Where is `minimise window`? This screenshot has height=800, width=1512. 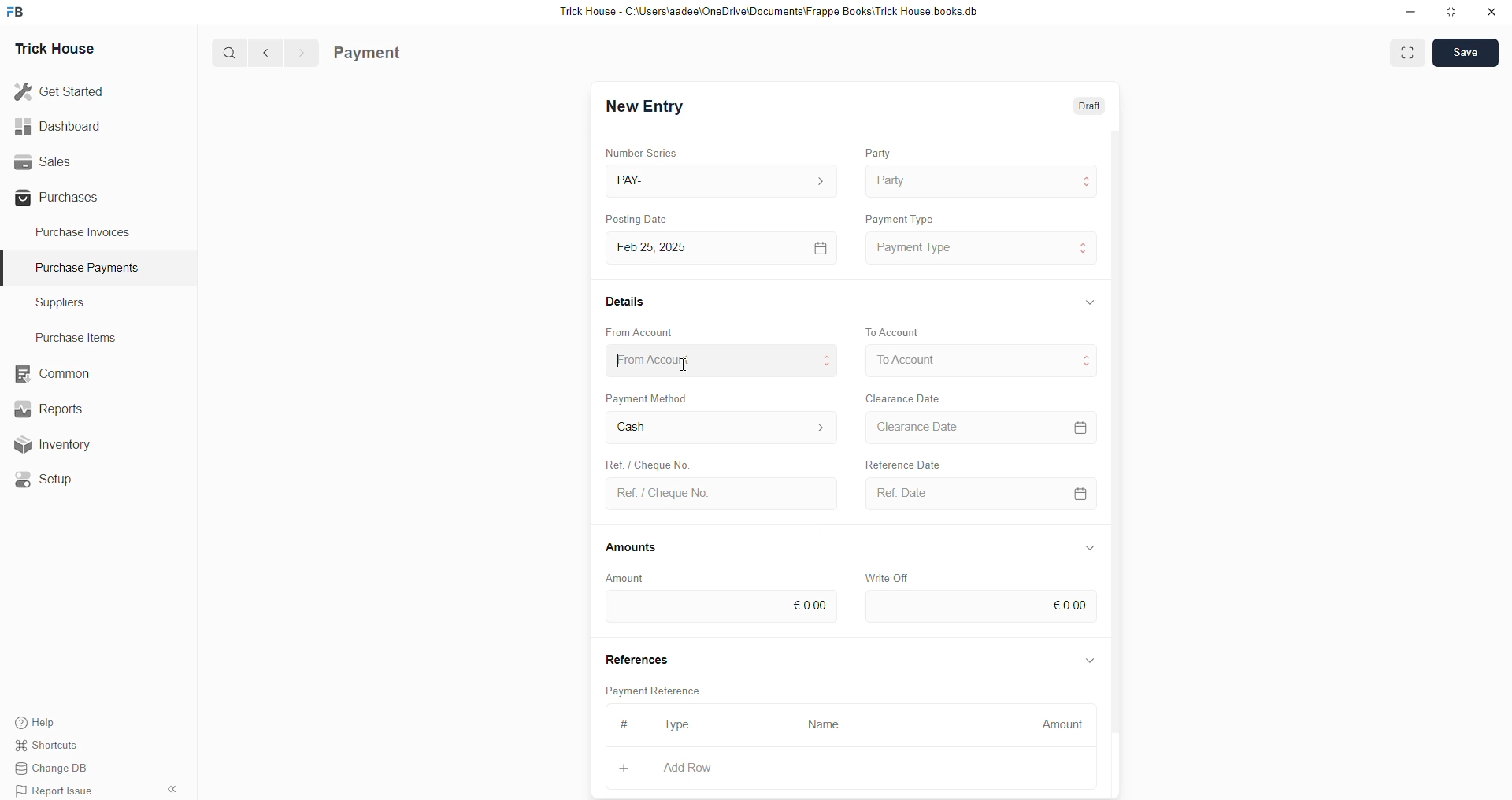 minimise window is located at coordinates (1450, 13).